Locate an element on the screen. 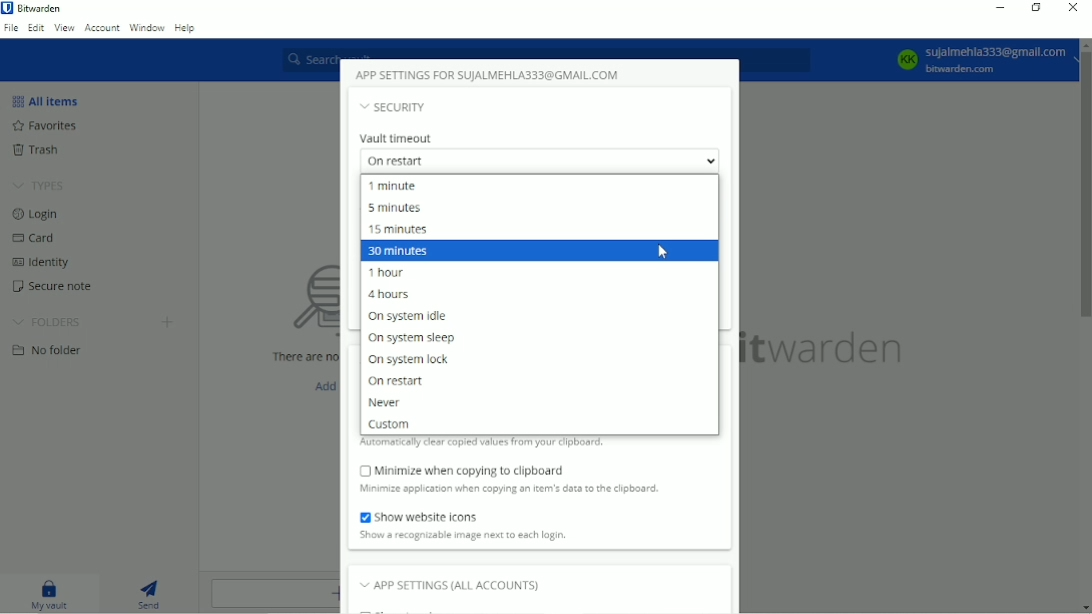 This screenshot has height=614, width=1092. My vault is located at coordinates (50, 594).